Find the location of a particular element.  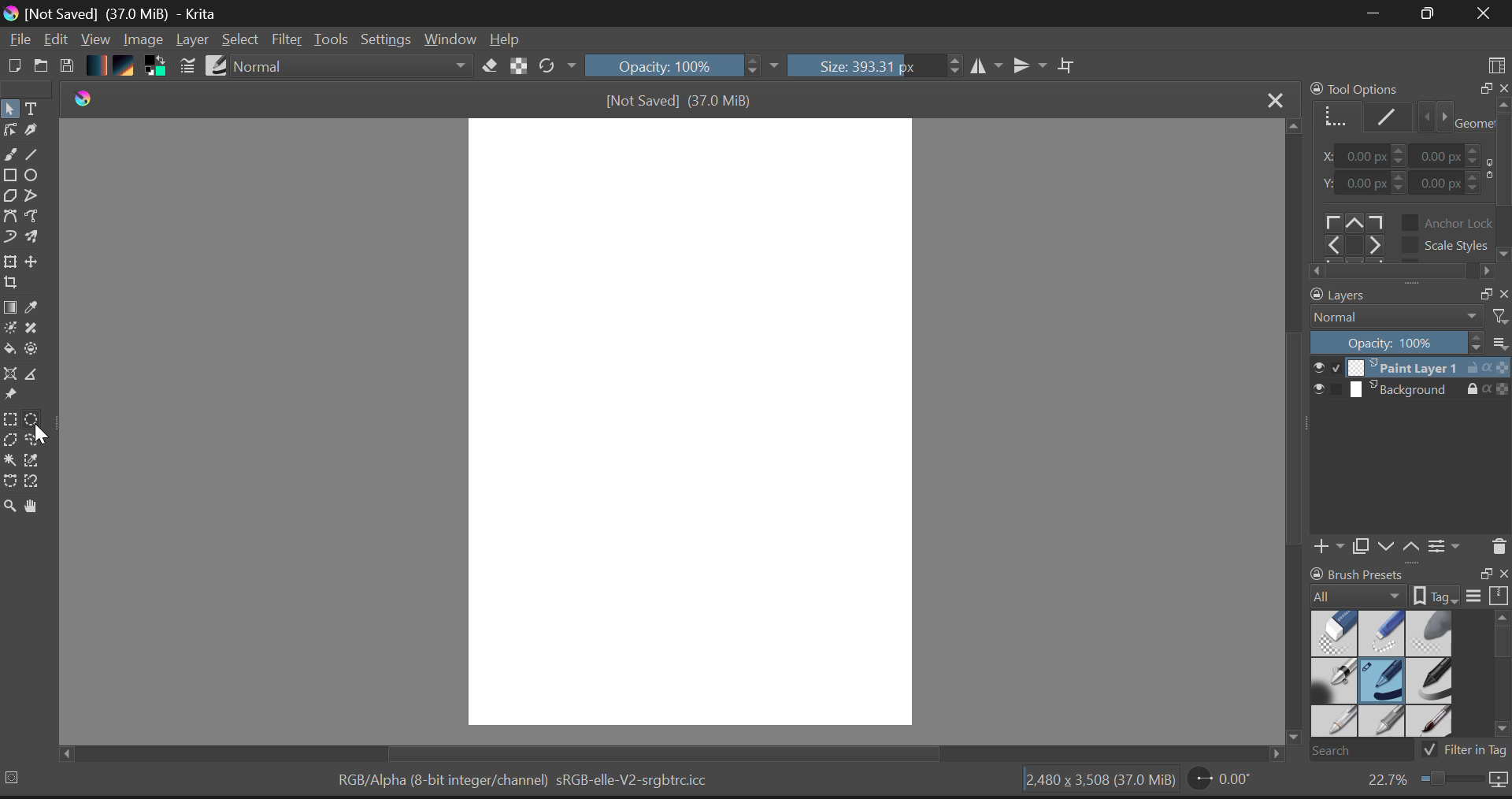

Opacity is located at coordinates (684, 67).